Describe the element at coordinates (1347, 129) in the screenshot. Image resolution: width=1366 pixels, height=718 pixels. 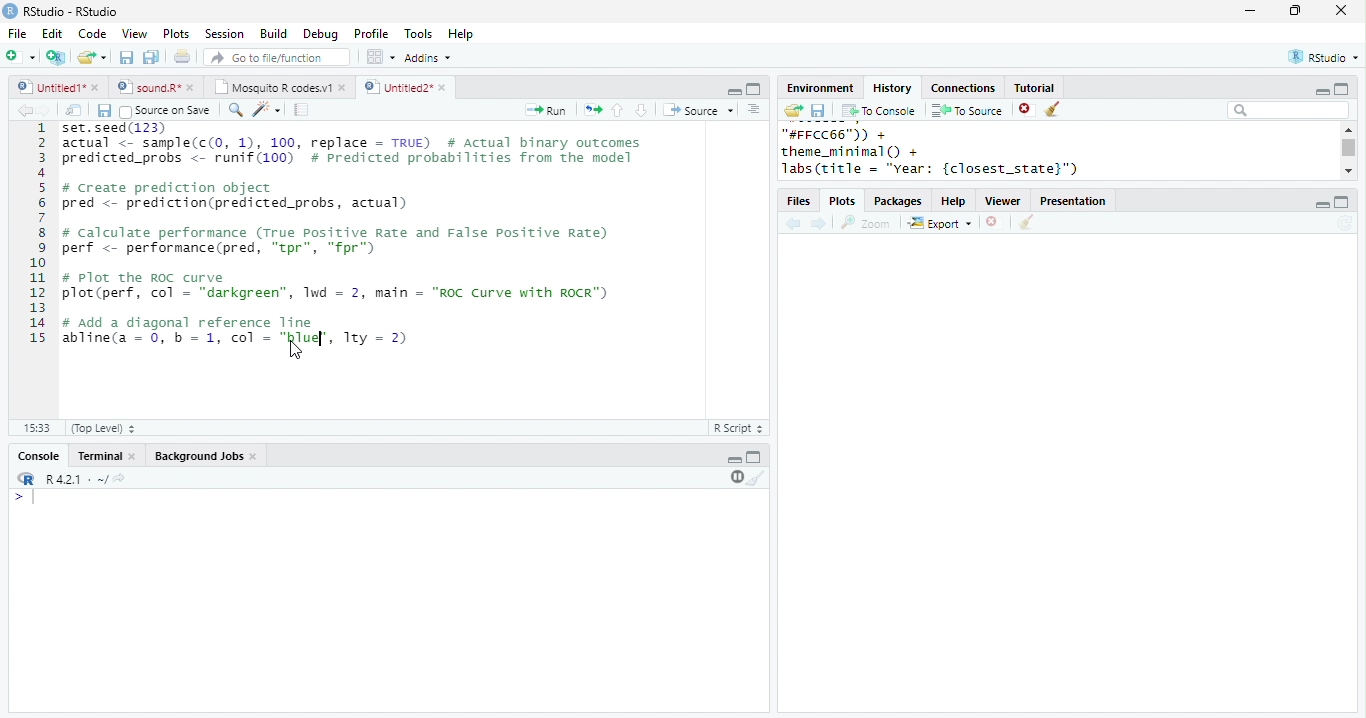
I see `scroll up` at that location.